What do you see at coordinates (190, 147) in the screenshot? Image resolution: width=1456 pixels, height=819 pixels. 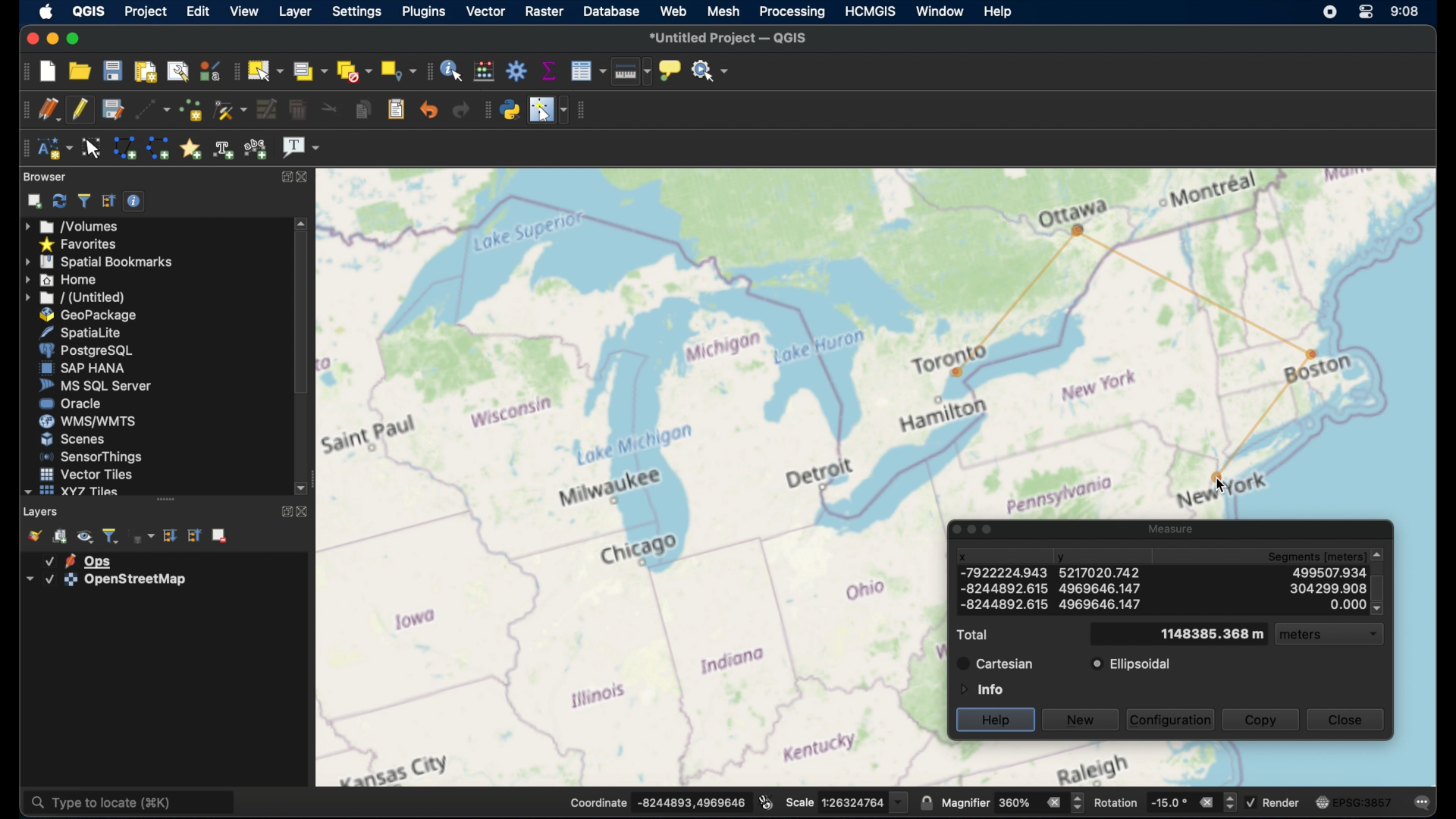 I see `create annotation marker` at bounding box center [190, 147].